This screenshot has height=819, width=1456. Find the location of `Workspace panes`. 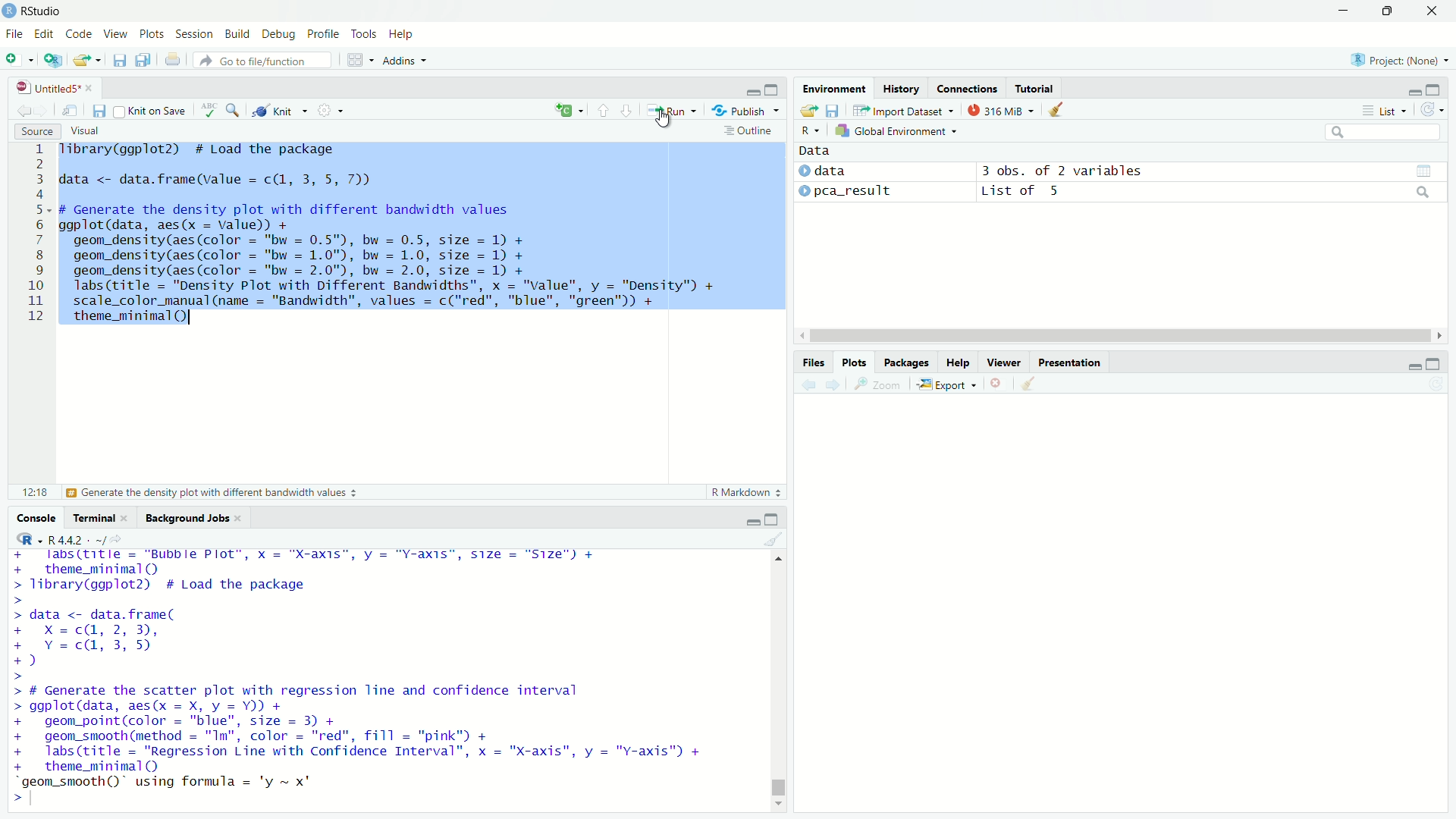

Workspace panes is located at coordinates (360, 59).